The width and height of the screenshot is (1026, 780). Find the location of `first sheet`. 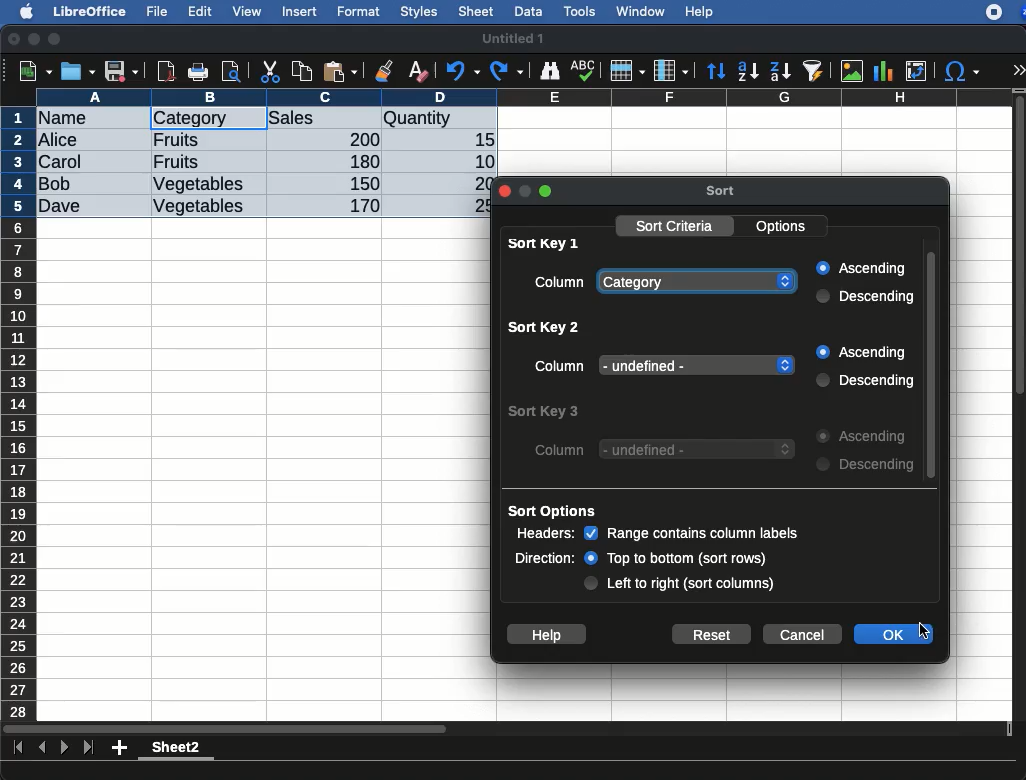

first sheet is located at coordinates (20, 748).